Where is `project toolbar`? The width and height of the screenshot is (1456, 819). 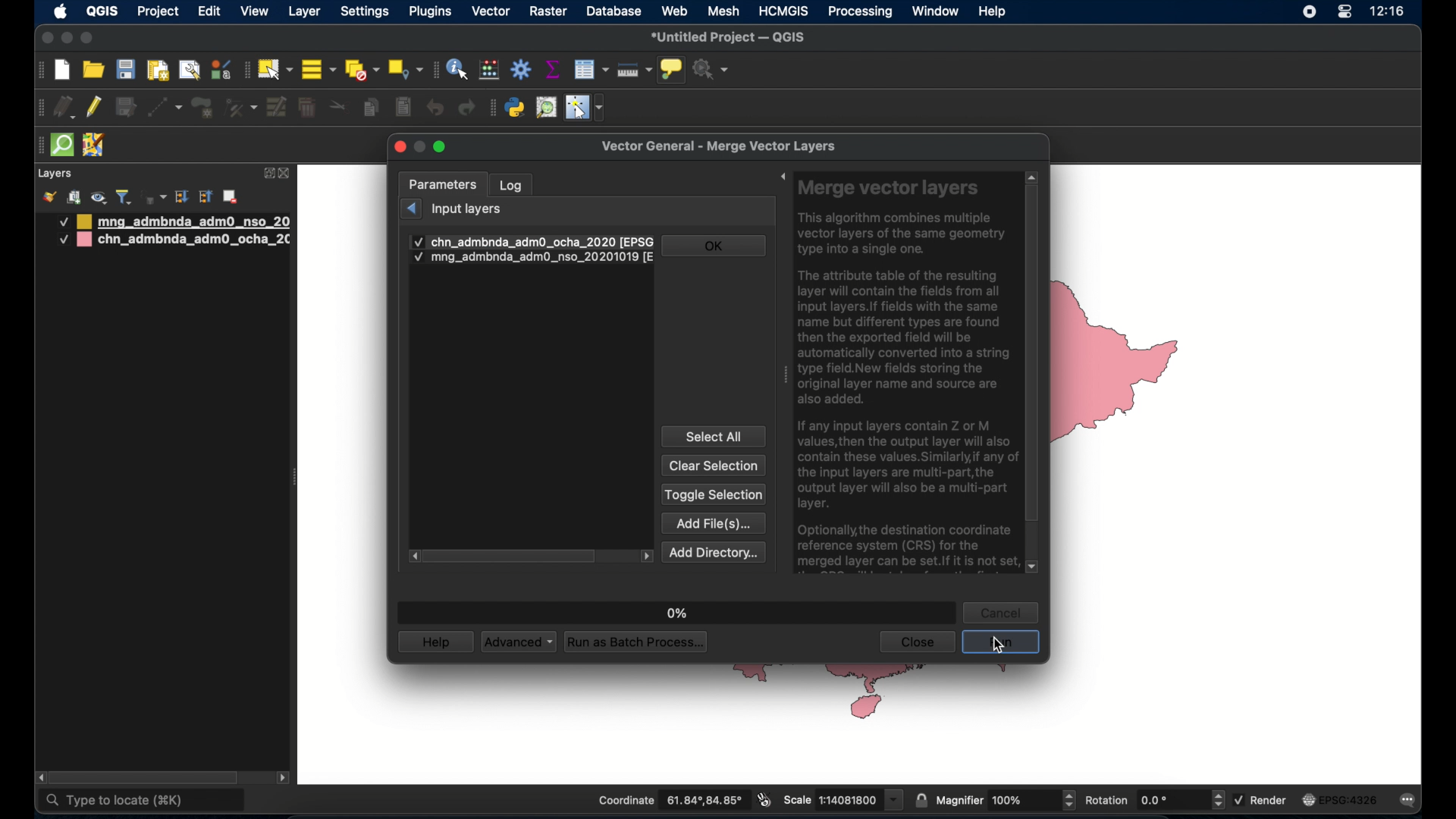 project toolbar is located at coordinates (38, 71).